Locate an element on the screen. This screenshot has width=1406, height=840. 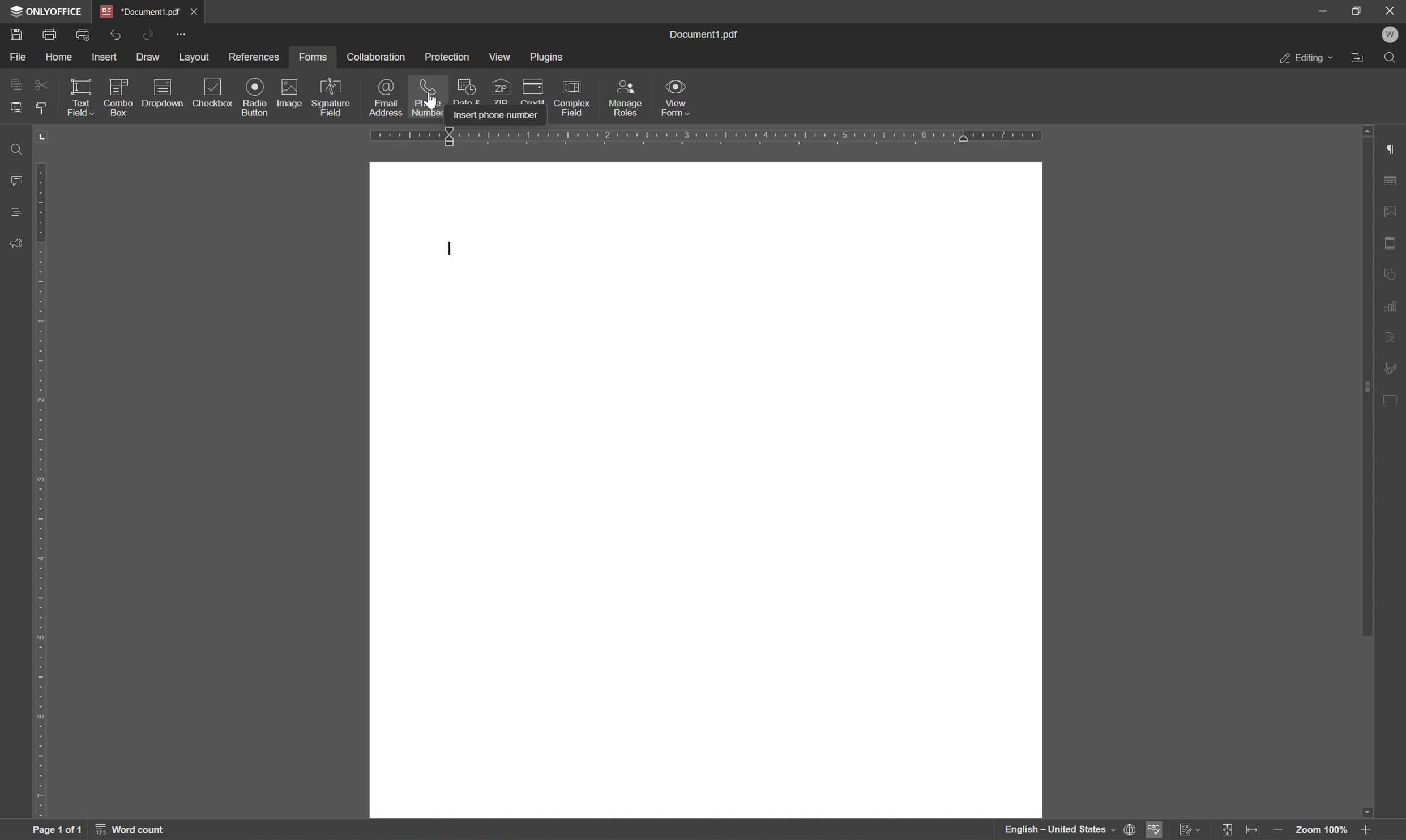
fit to width is located at coordinates (1253, 829).